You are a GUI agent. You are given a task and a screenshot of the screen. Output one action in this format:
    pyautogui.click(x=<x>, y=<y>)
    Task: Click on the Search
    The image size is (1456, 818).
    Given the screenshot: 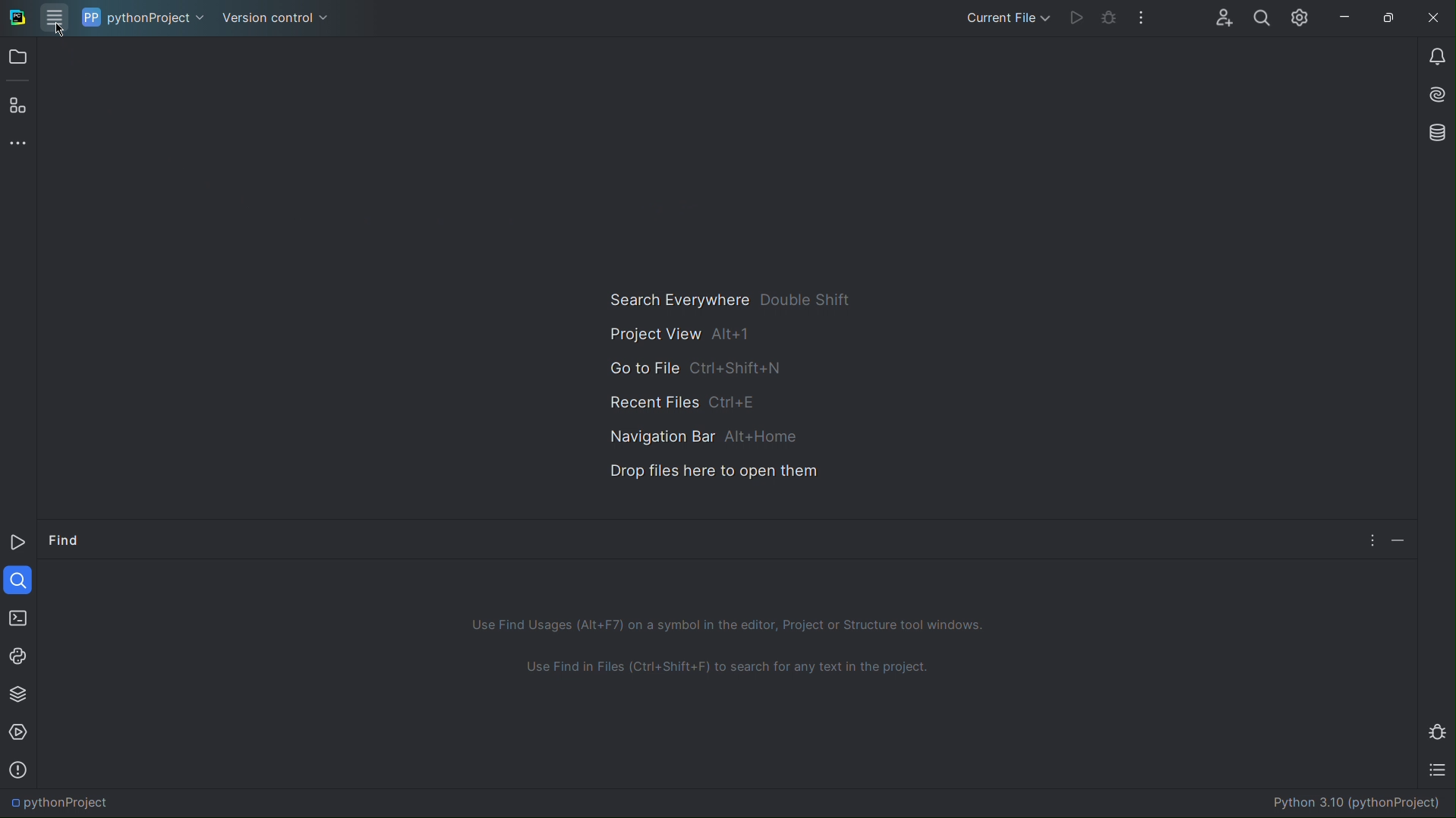 What is the action you would take?
    pyautogui.click(x=1260, y=17)
    